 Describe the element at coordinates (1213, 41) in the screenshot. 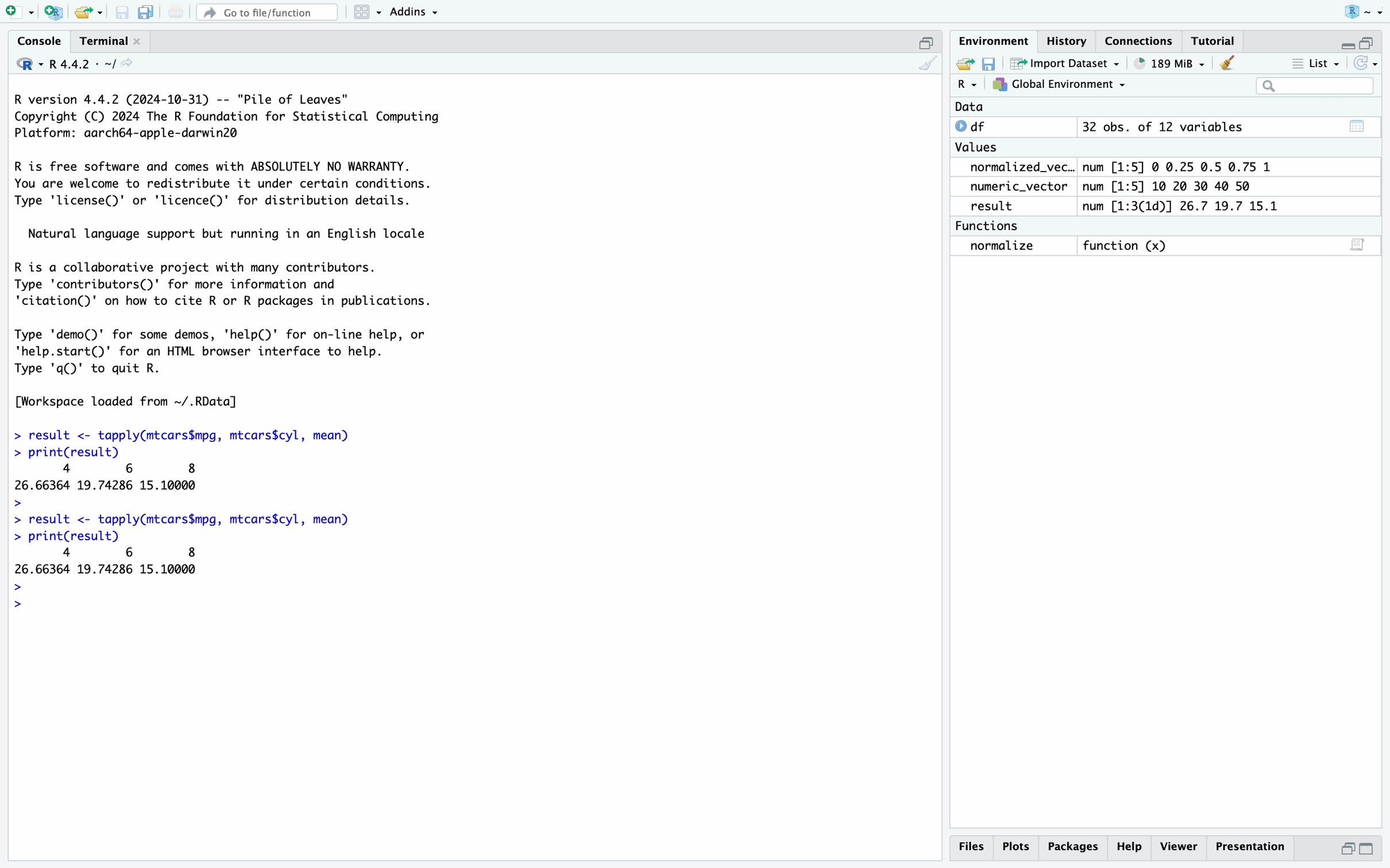

I see `Tutorial` at that location.